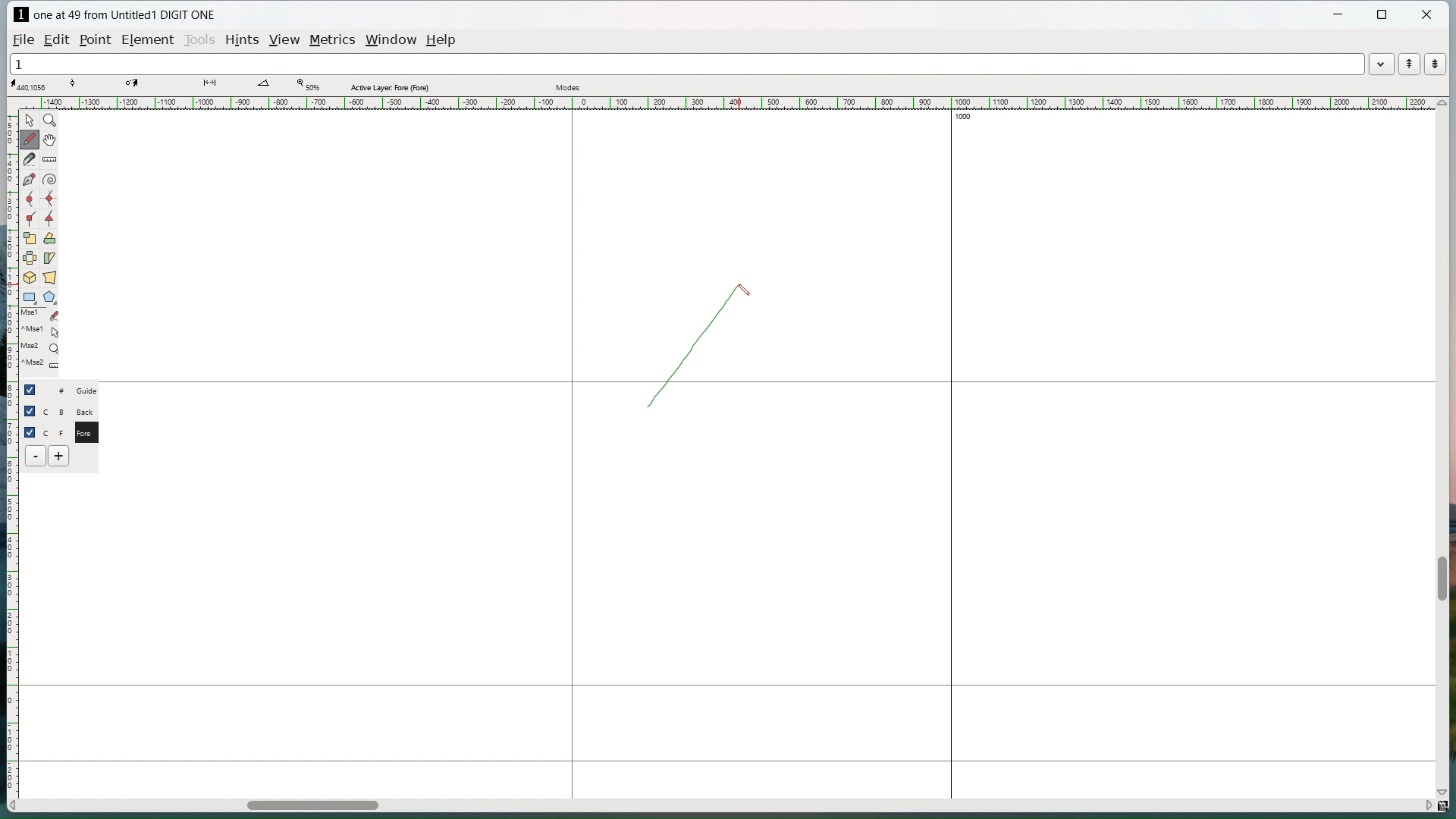 This screenshot has width=1456, height=819. Describe the element at coordinates (49, 277) in the screenshot. I see `perspective transformation` at that location.